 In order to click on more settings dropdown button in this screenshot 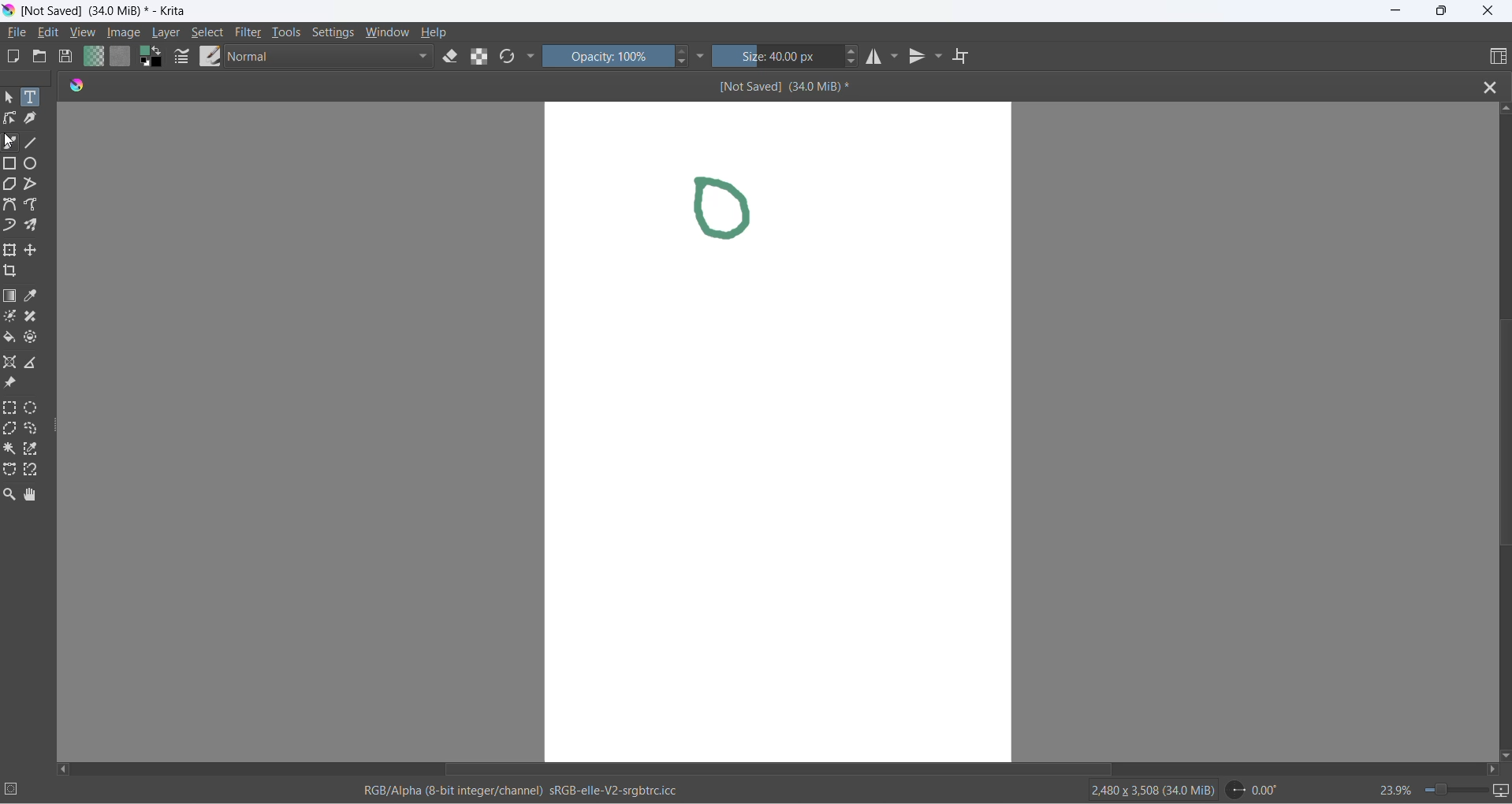, I will do `click(701, 55)`.